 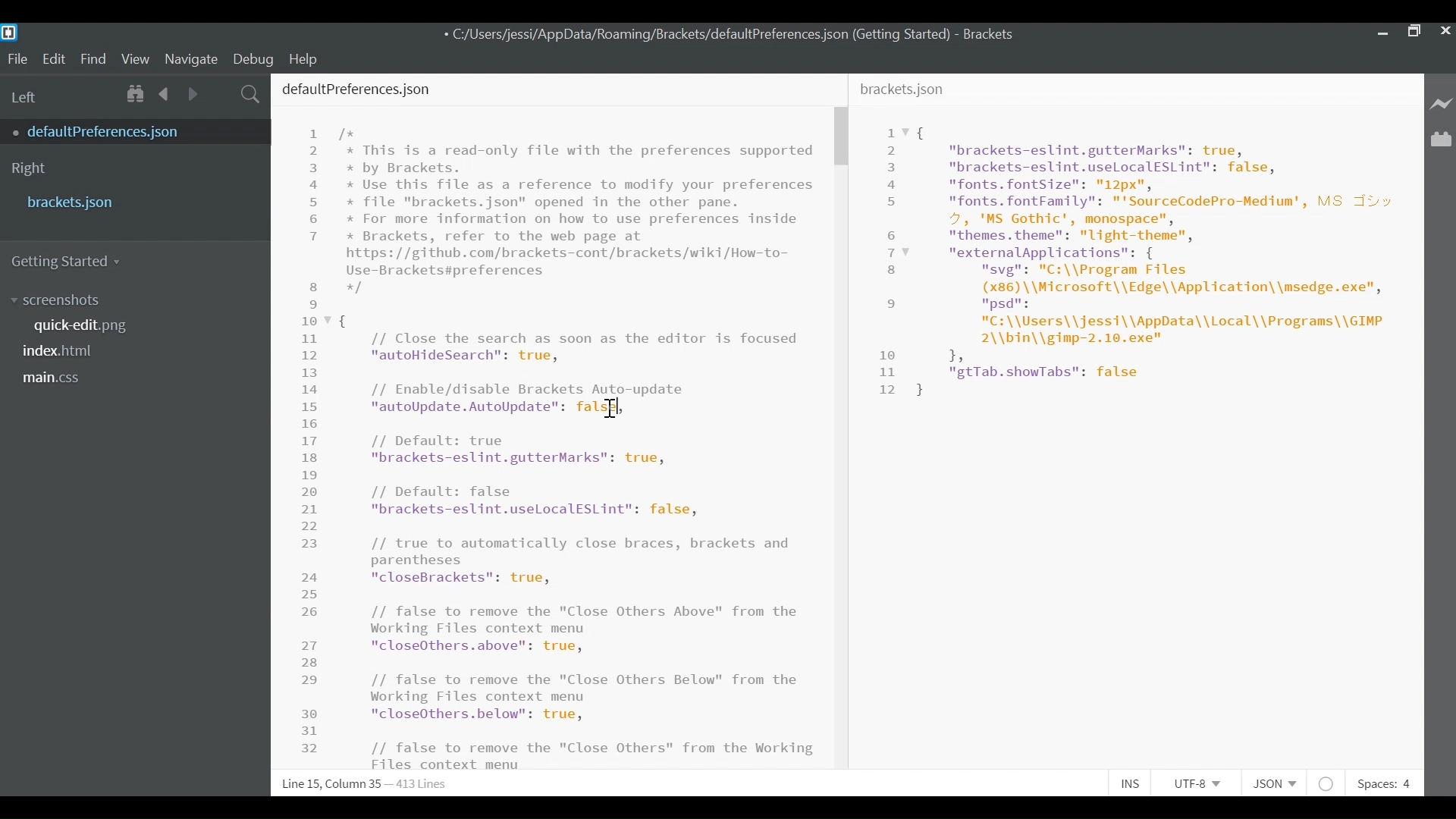 What do you see at coordinates (1387, 783) in the screenshot?
I see `Spaces` at bounding box center [1387, 783].